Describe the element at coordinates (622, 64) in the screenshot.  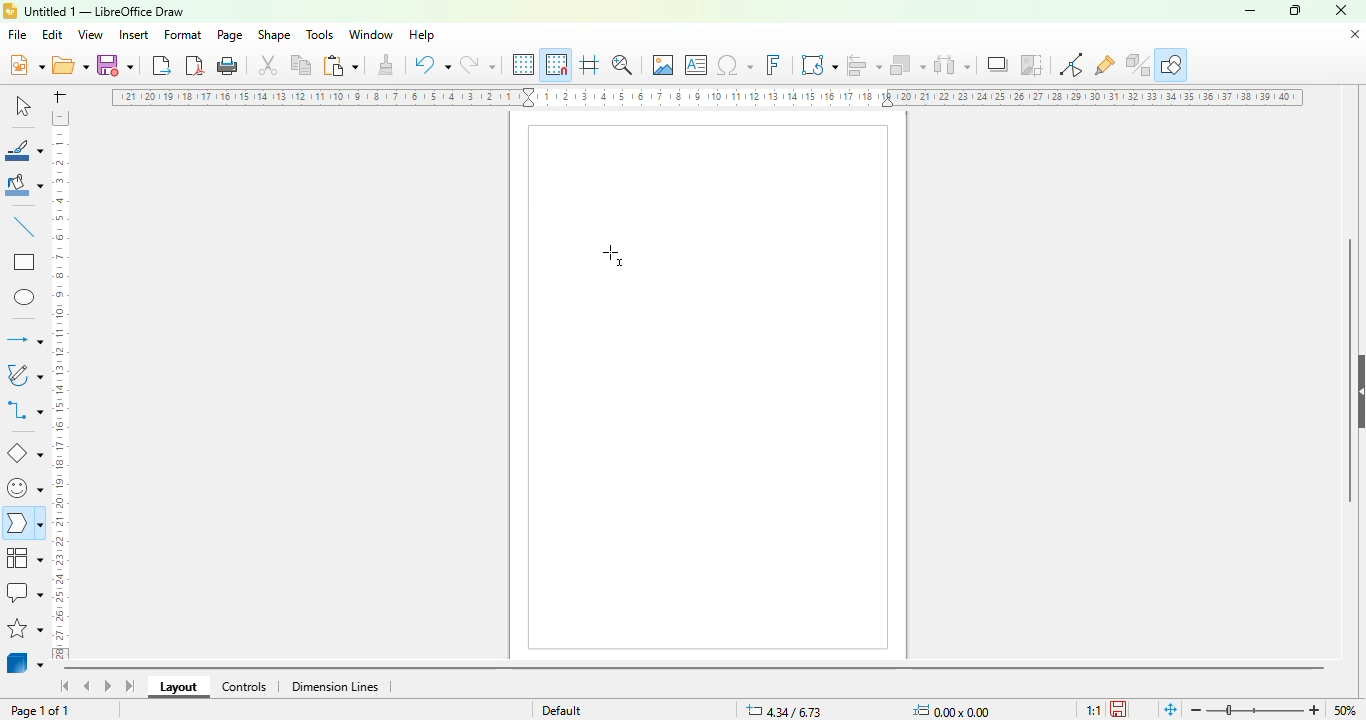
I see `zoom & pan` at that location.